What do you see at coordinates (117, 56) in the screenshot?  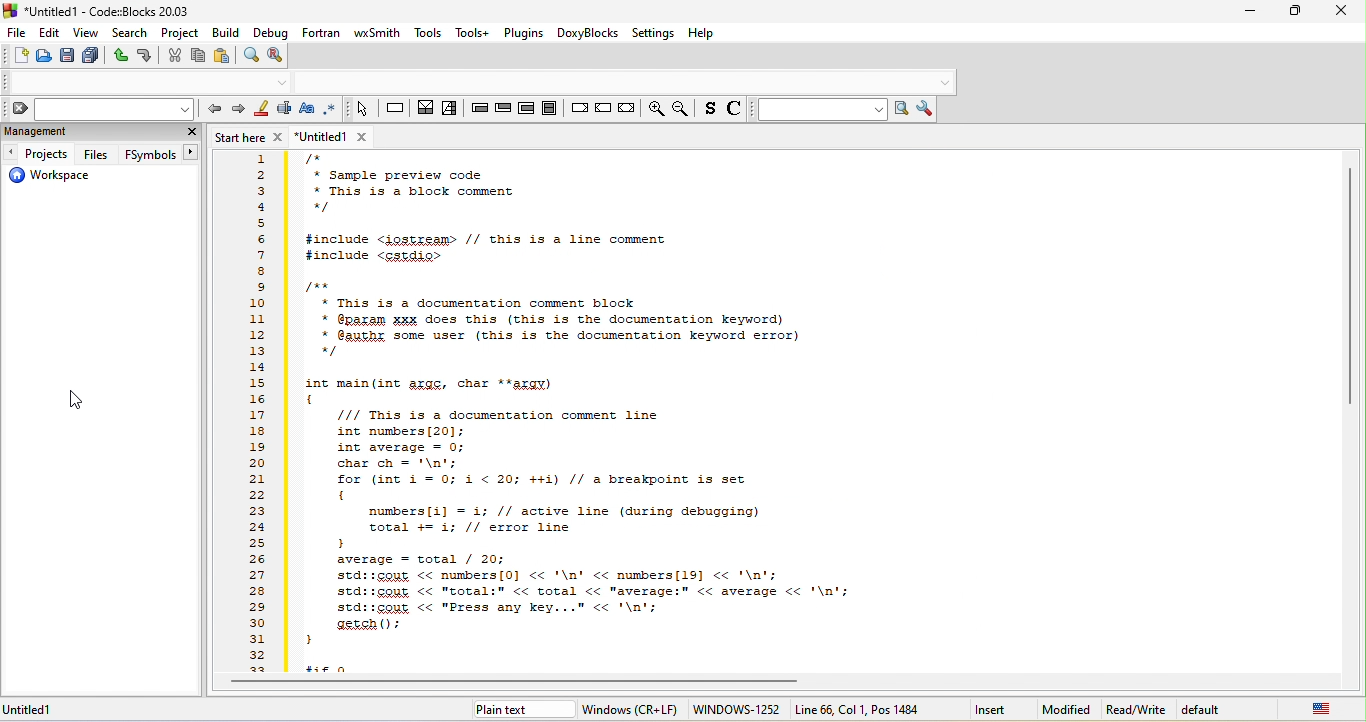 I see `undo` at bounding box center [117, 56].